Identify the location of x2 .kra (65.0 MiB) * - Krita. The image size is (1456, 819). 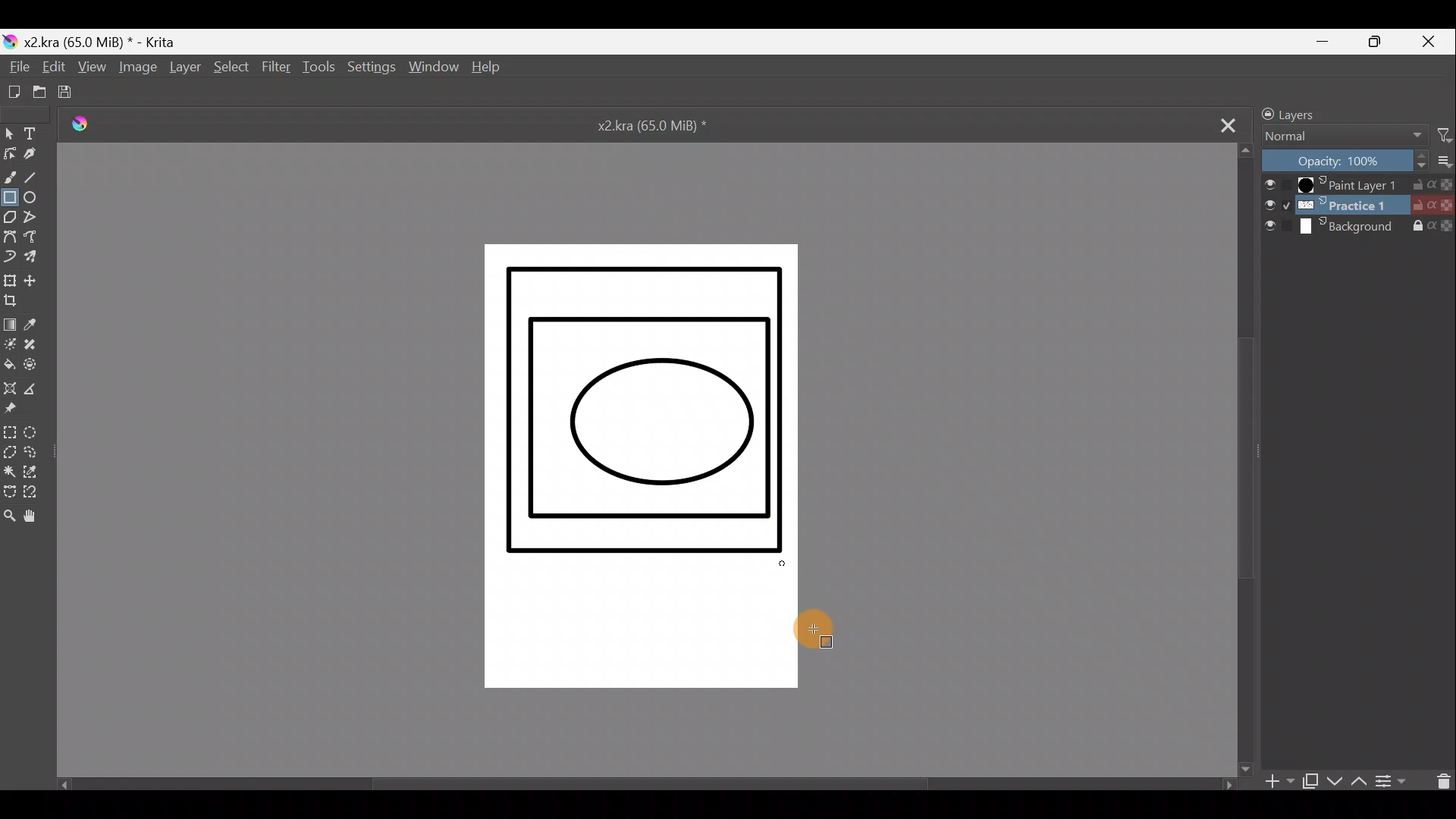
(112, 42).